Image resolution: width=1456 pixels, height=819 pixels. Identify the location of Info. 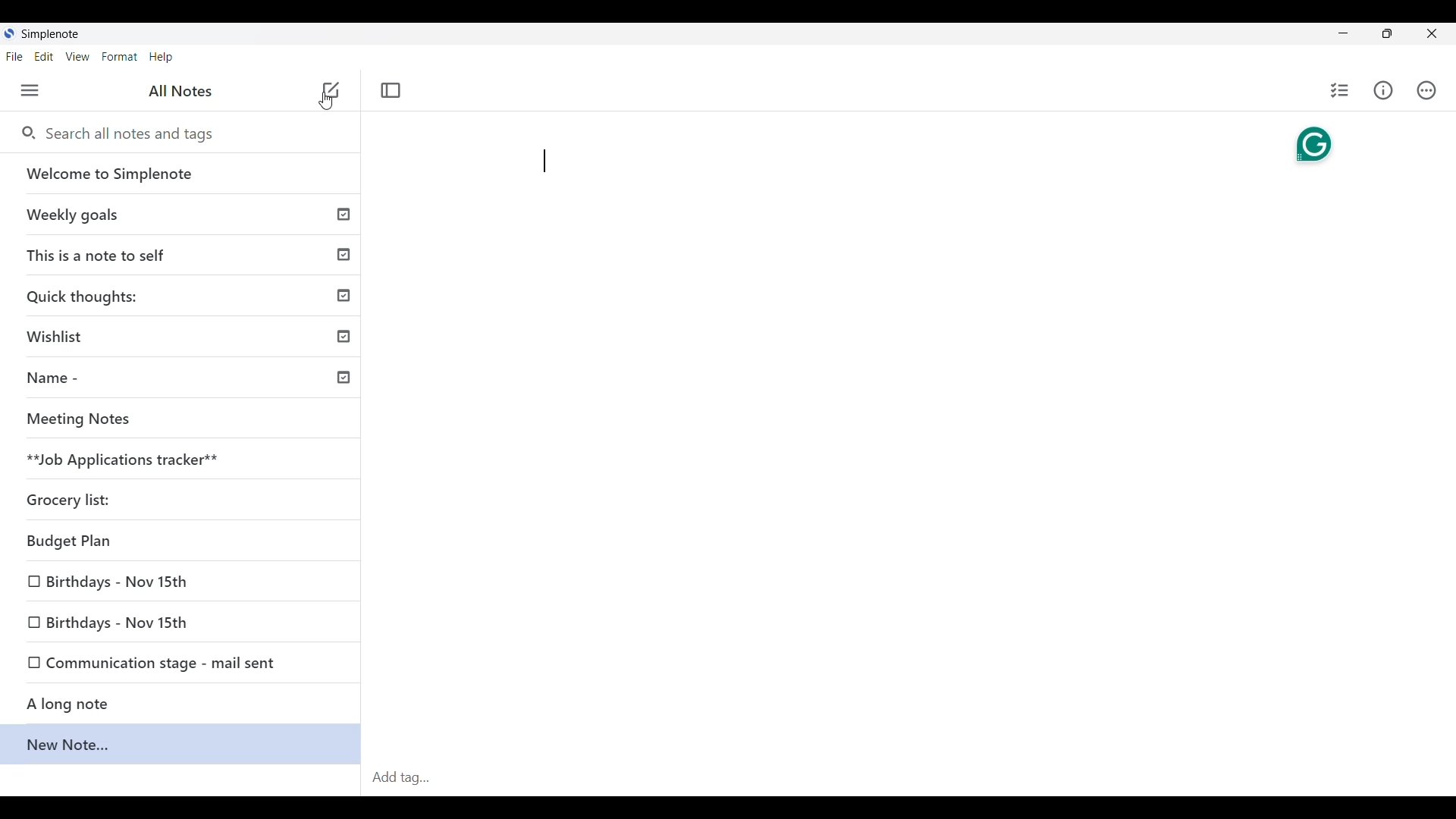
(1383, 90).